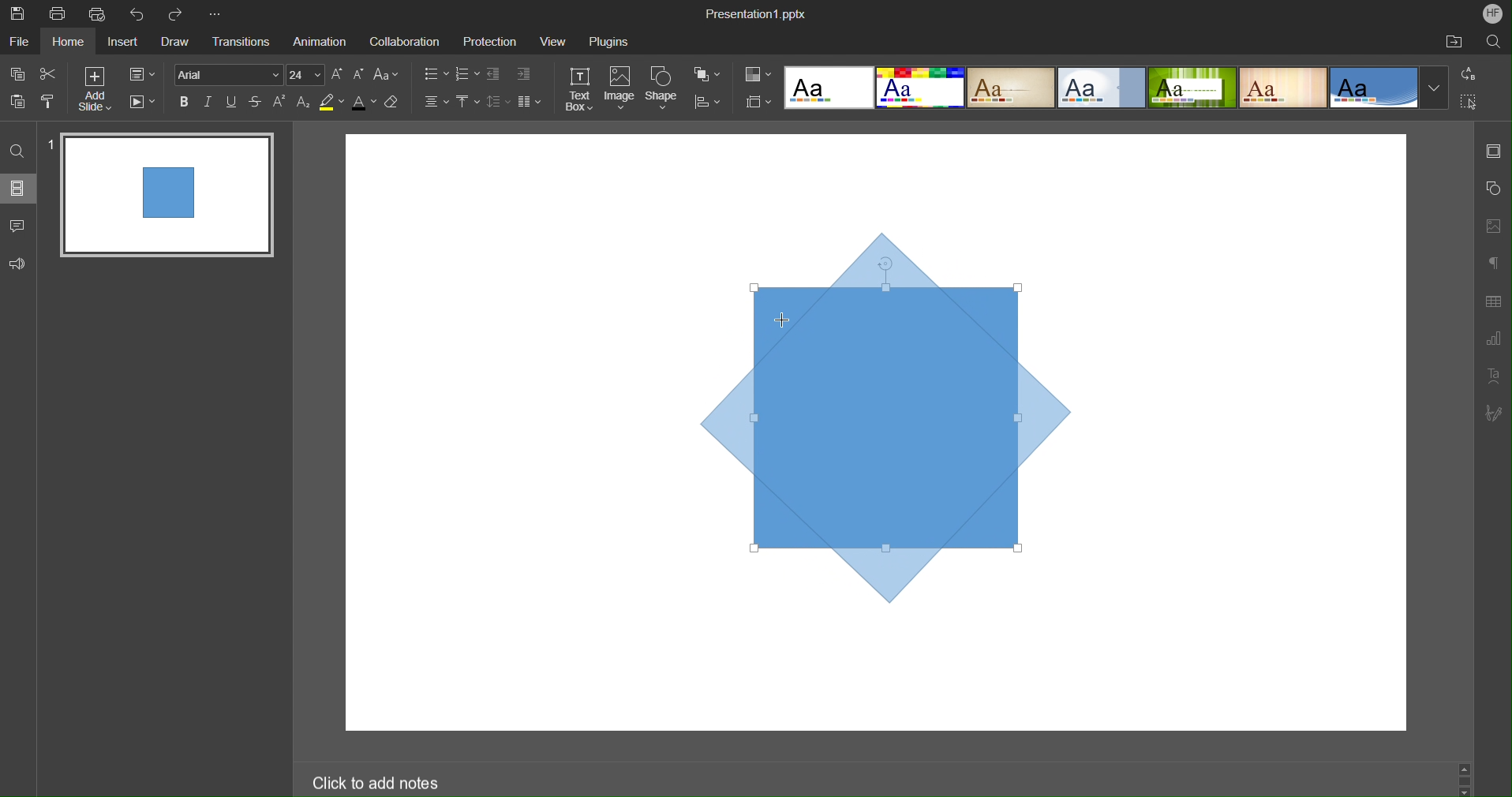 This screenshot has width=1512, height=797. What do you see at coordinates (121, 42) in the screenshot?
I see `Insert` at bounding box center [121, 42].